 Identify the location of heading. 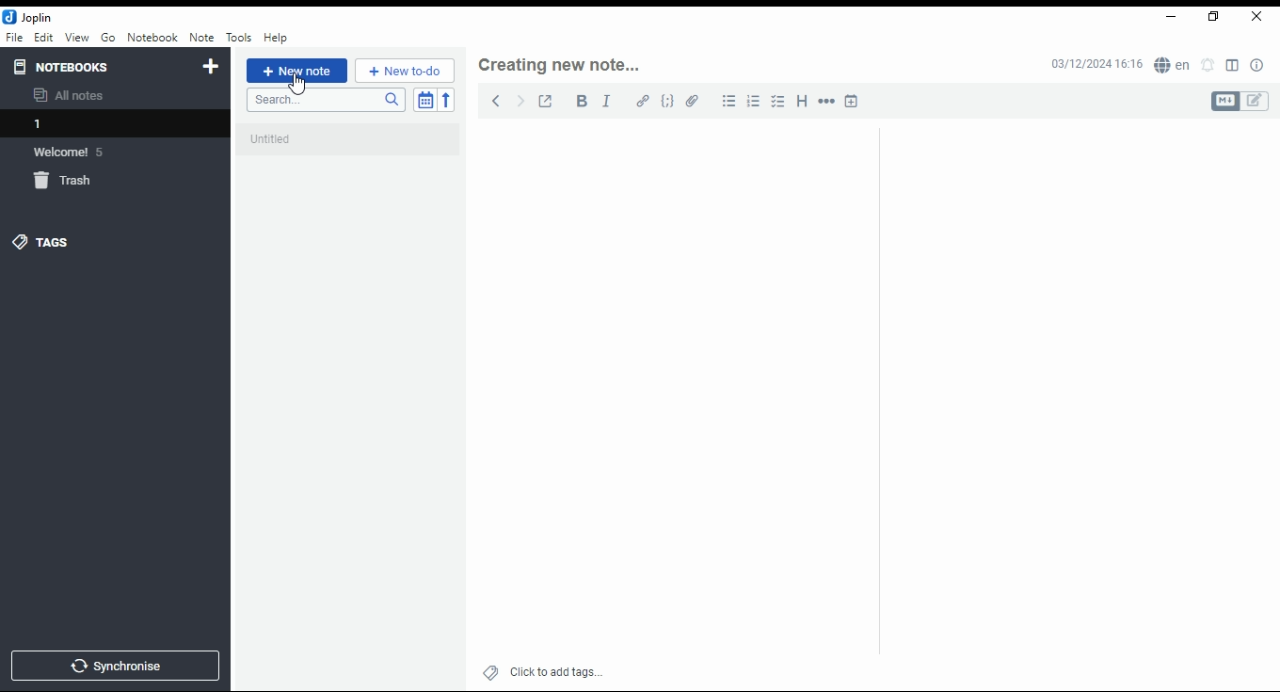
(803, 99).